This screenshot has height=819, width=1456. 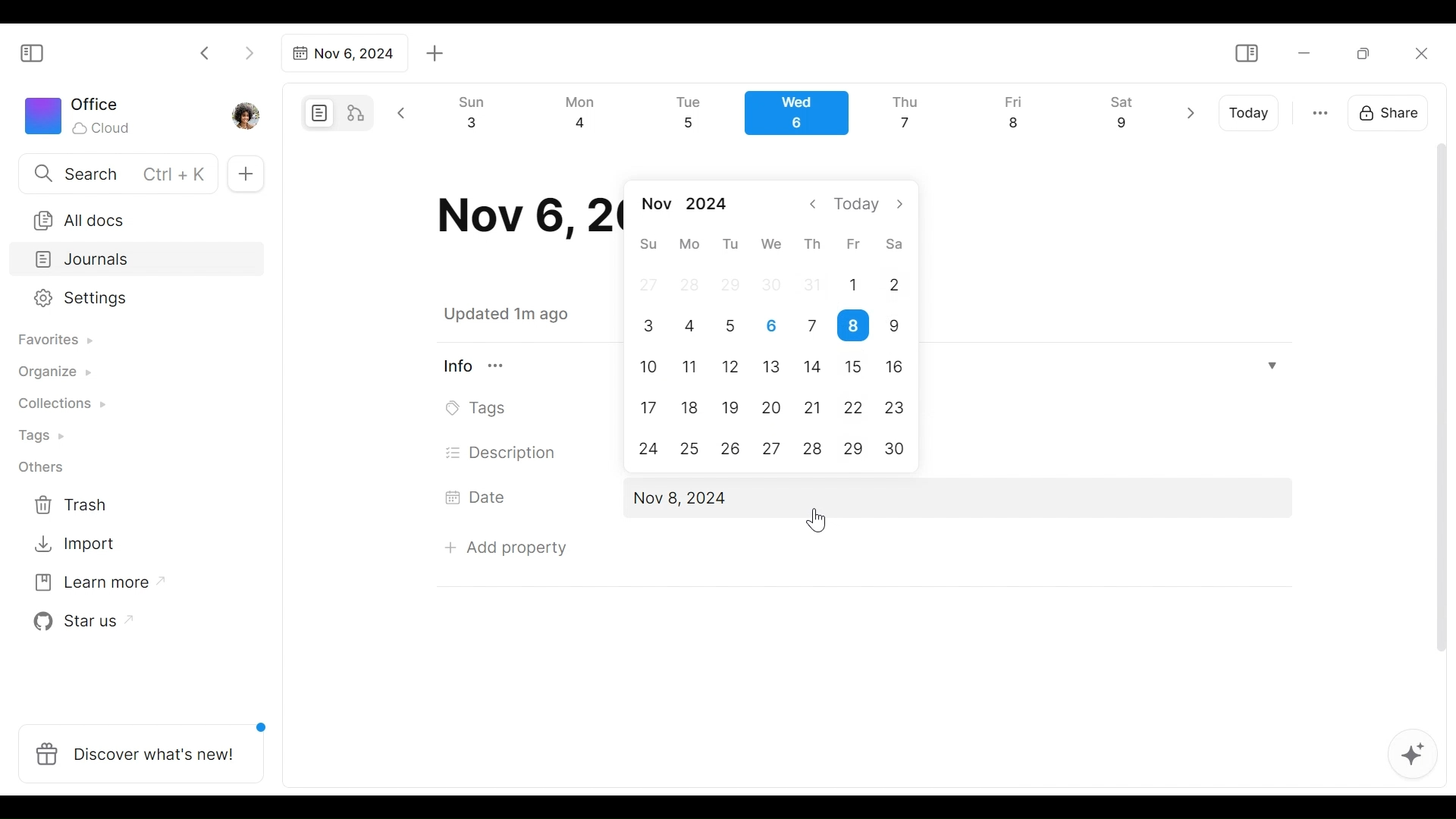 What do you see at coordinates (53, 373) in the screenshot?
I see `Organize` at bounding box center [53, 373].